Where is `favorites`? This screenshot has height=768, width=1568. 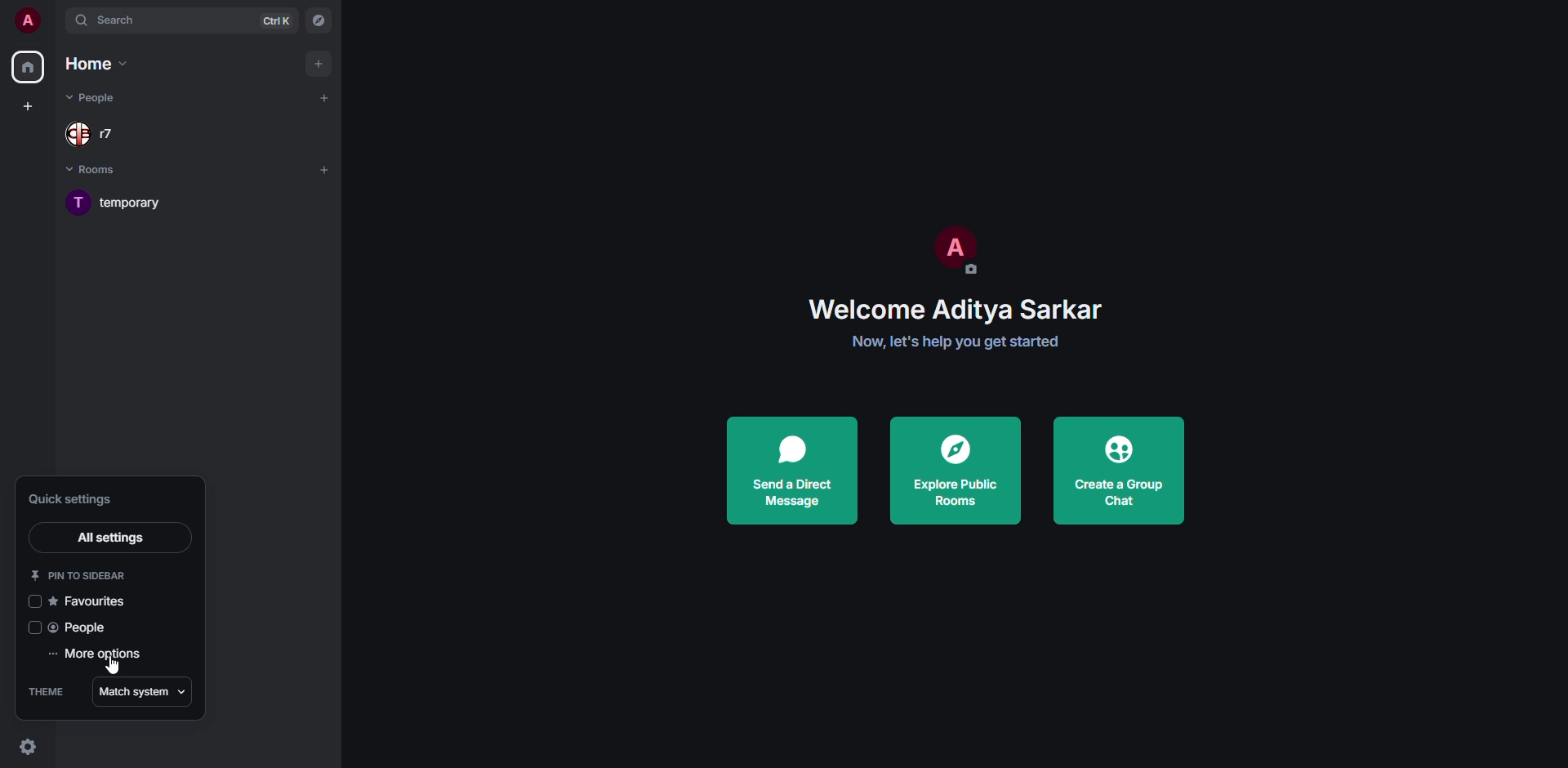
favorites is located at coordinates (91, 602).